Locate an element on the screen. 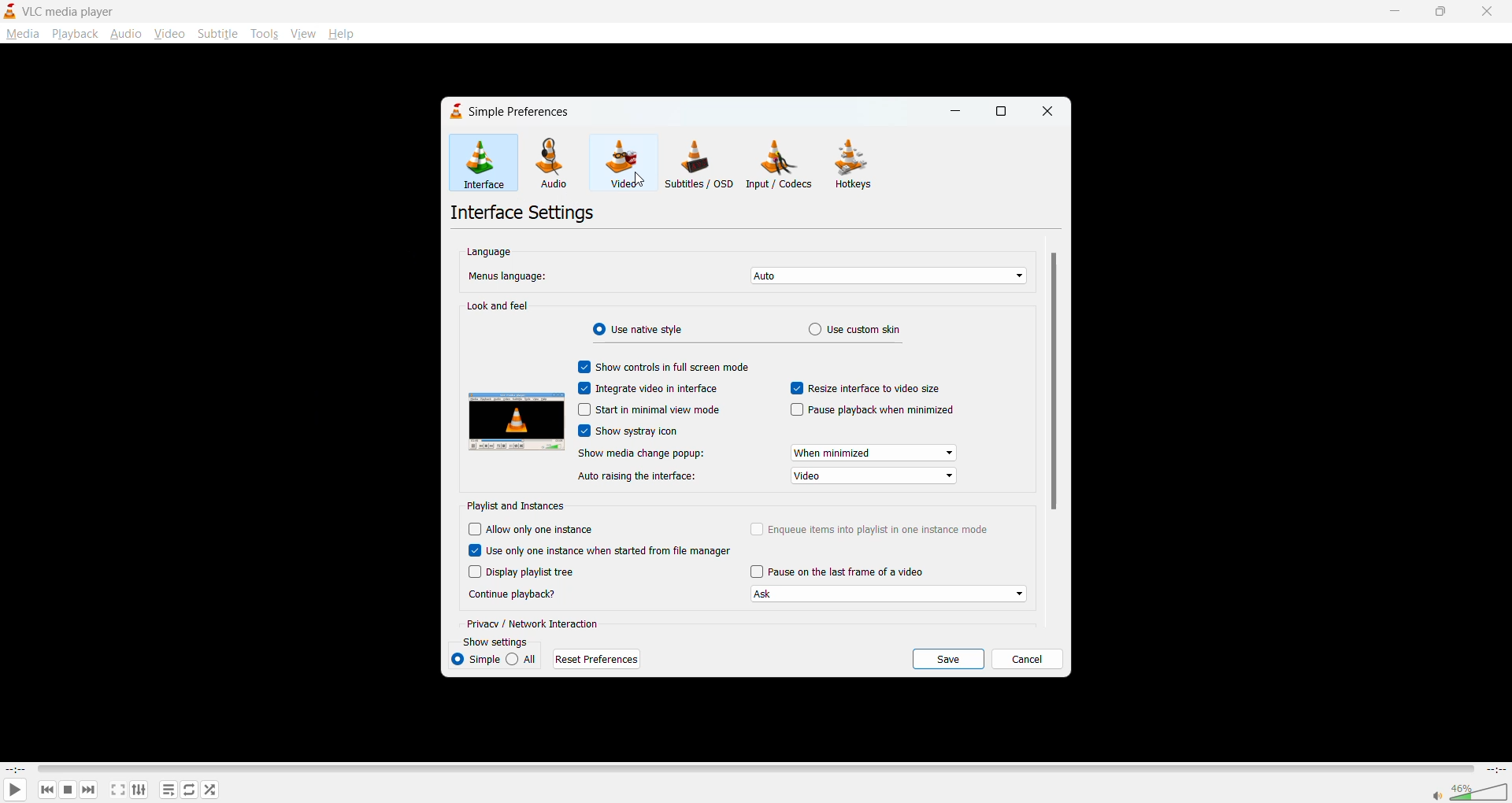  resize interface is located at coordinates (863, 388).